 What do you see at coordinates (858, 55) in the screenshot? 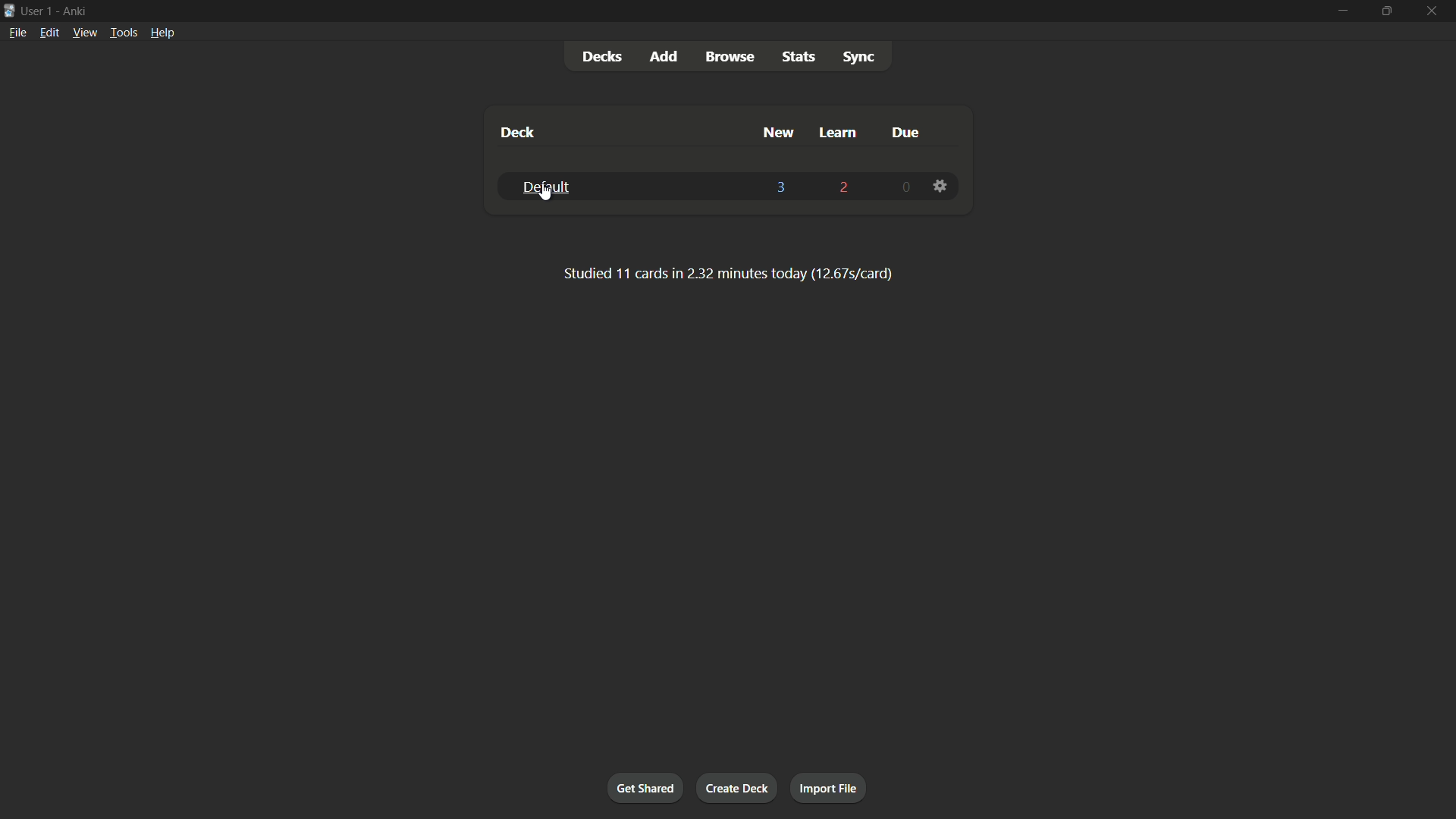
I see `sync` at bounding box center [858, 55].